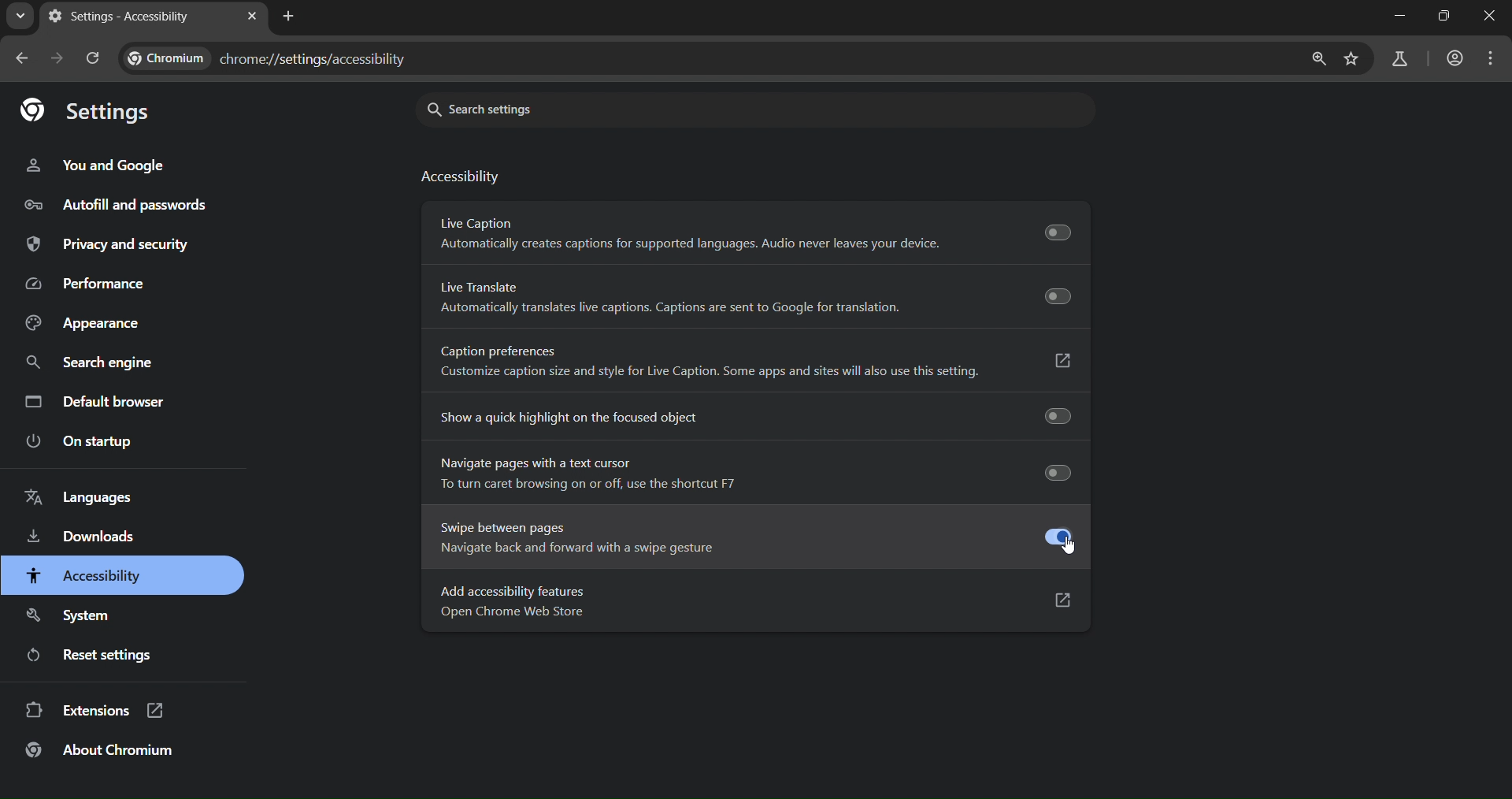 This screenshot has width=1512, height=799. What do you see at coordinates (588, 107) in the screenshot?
I see `search settings` at bounding box center [588, 107].